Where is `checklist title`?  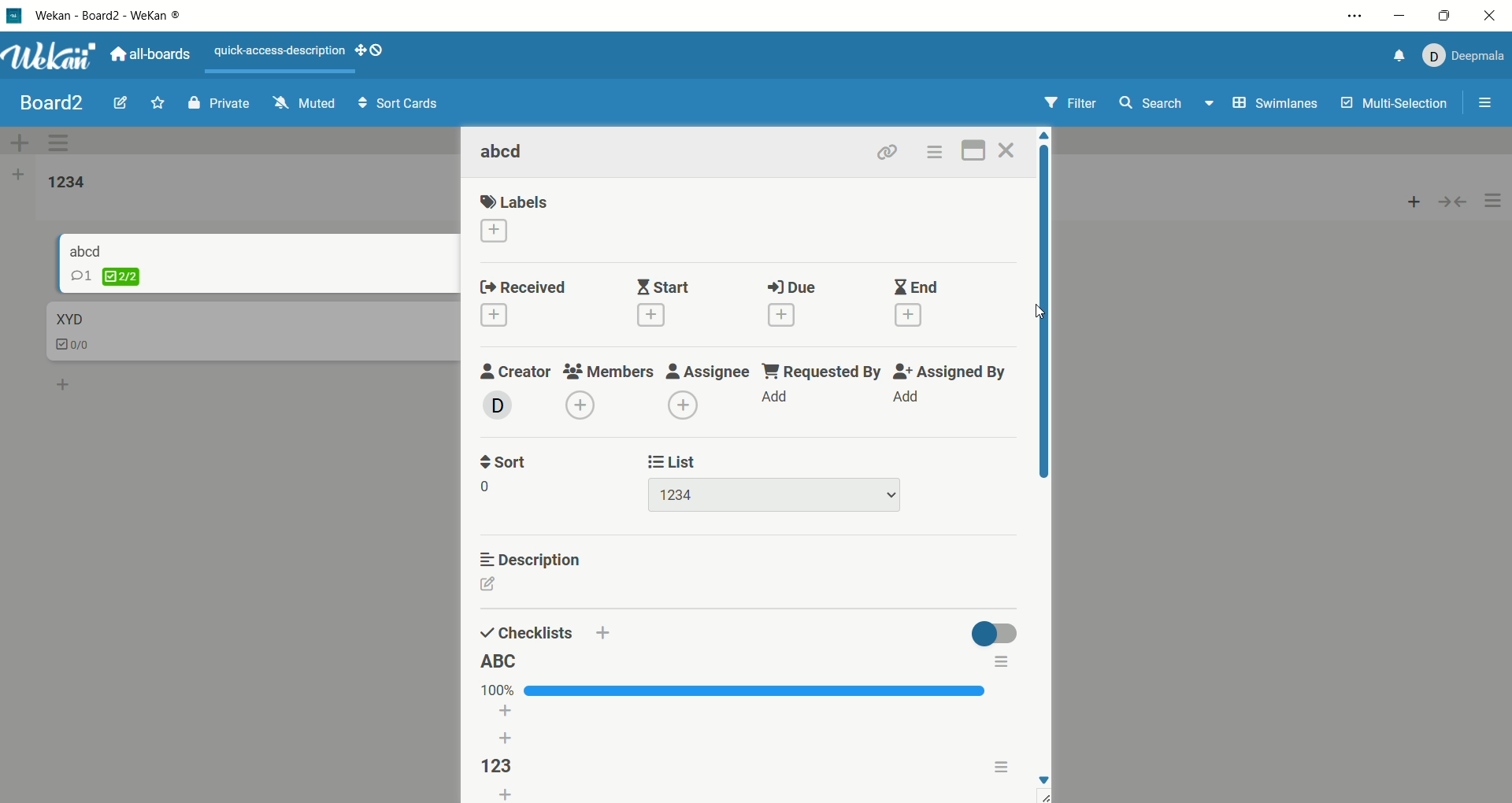
checklist title is located at coordinates (499, 661).